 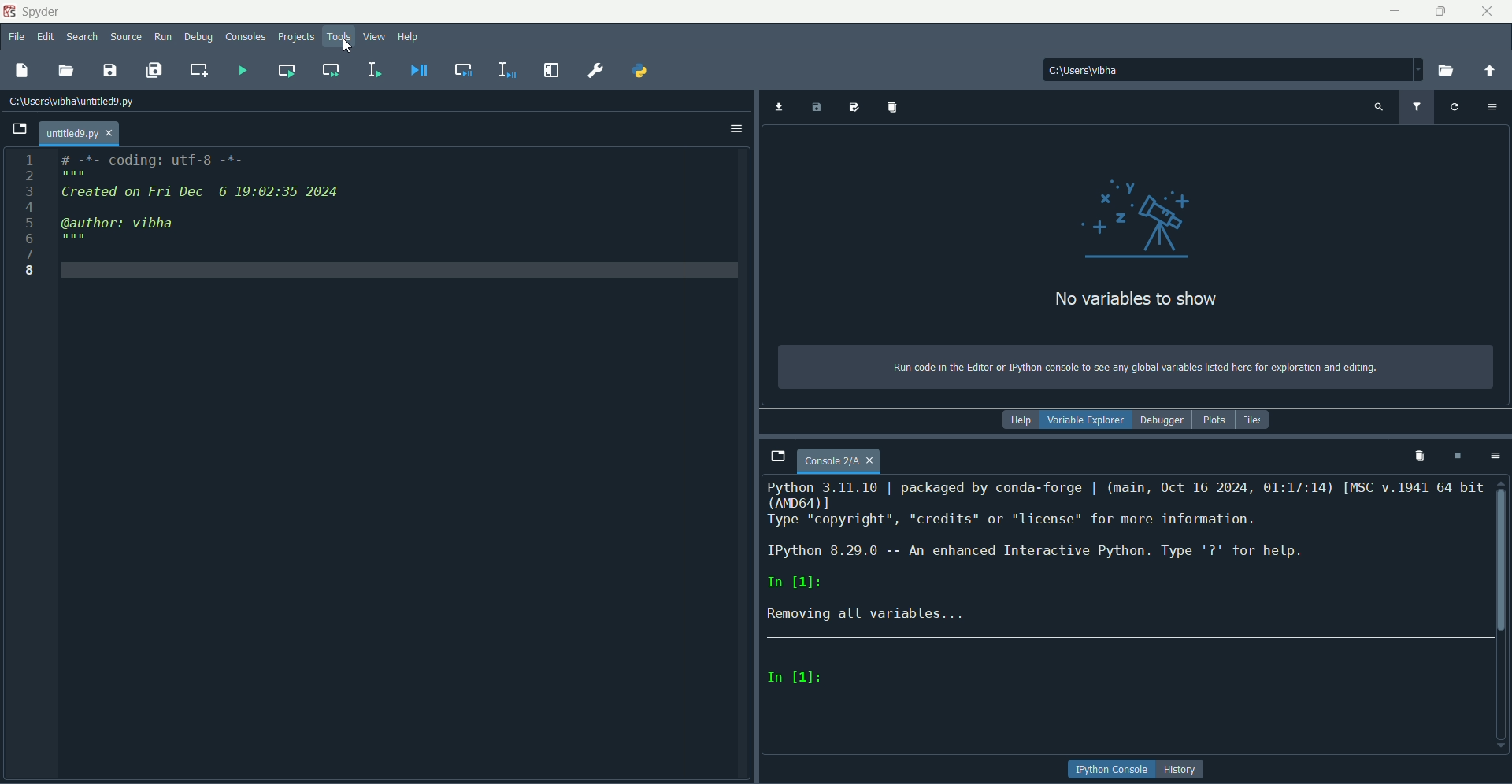 What do you see at coordinates (1112, 69) in the screenshot?
I see `file path` at bounding box center [1112, 69].